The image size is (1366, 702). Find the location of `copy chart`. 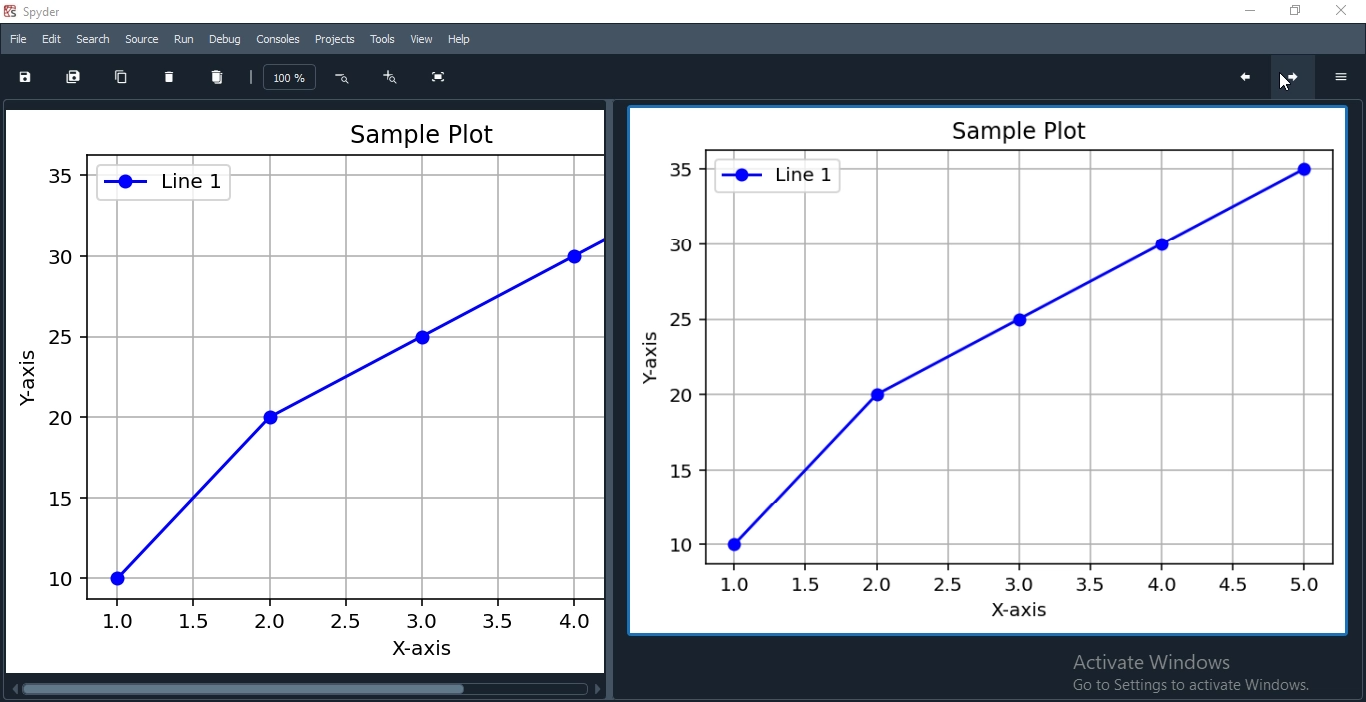

copy chart is located at coordinates (121, 76).